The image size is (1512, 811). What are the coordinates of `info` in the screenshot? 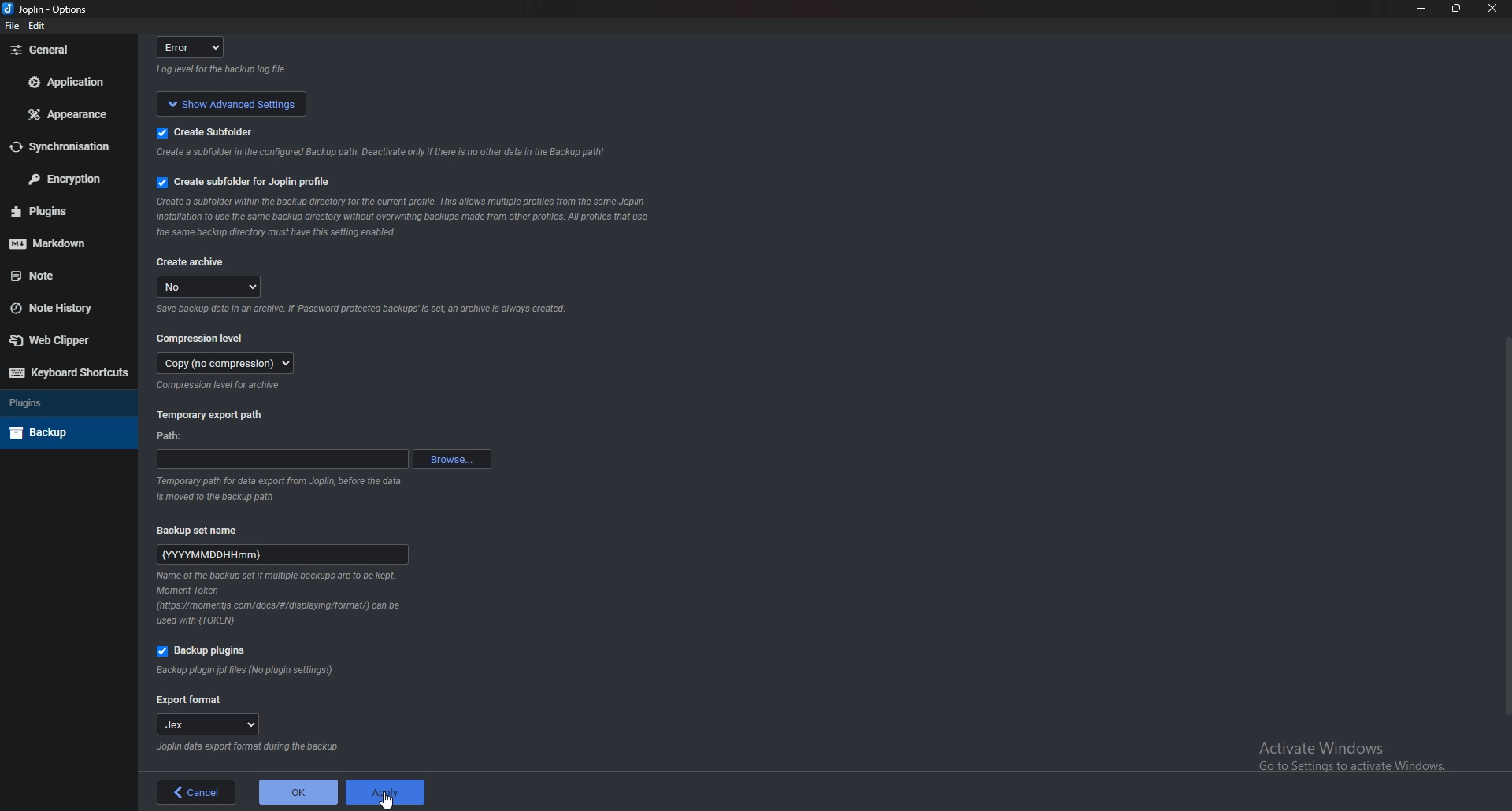 It's located at (361, 310).